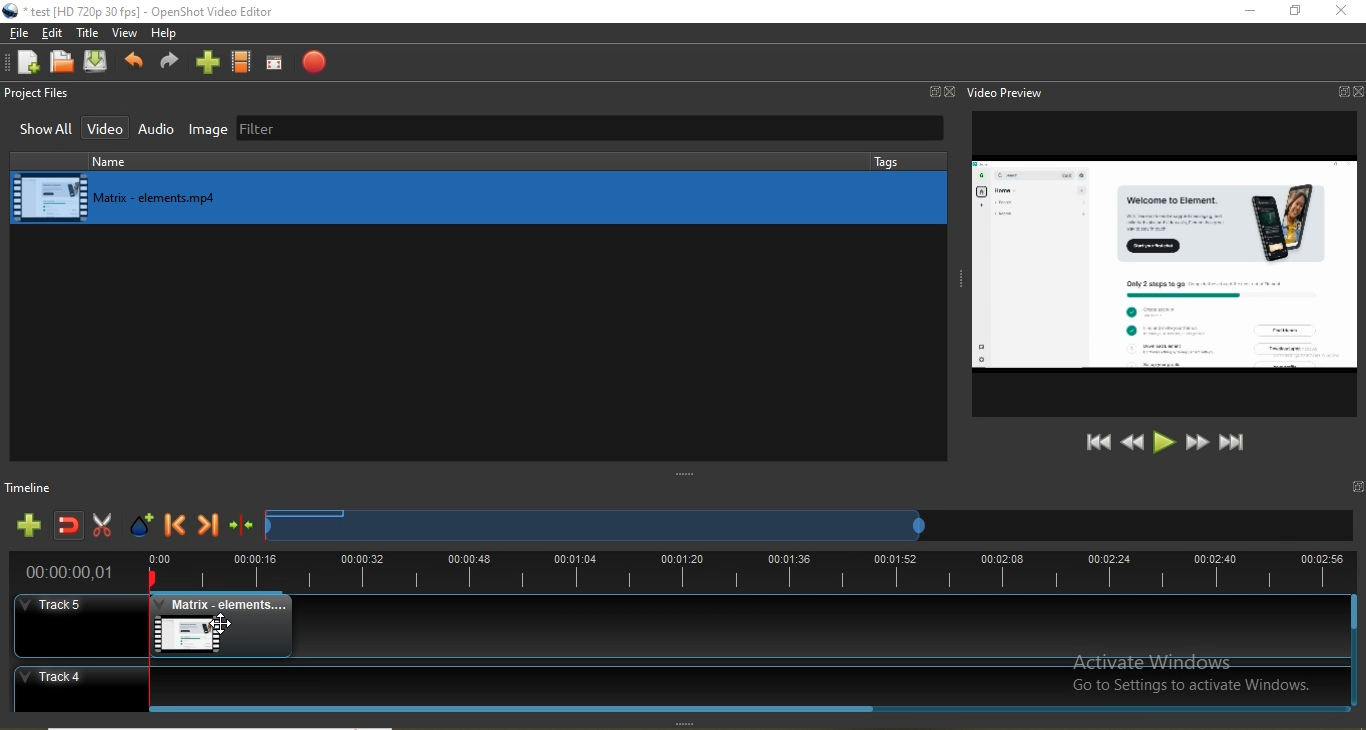 The height and width of the screenshot is (730, 1366). What do you see at coordinates (169, 65) in the screenshot?
I see `Redo` at bounding box center [169, 65].